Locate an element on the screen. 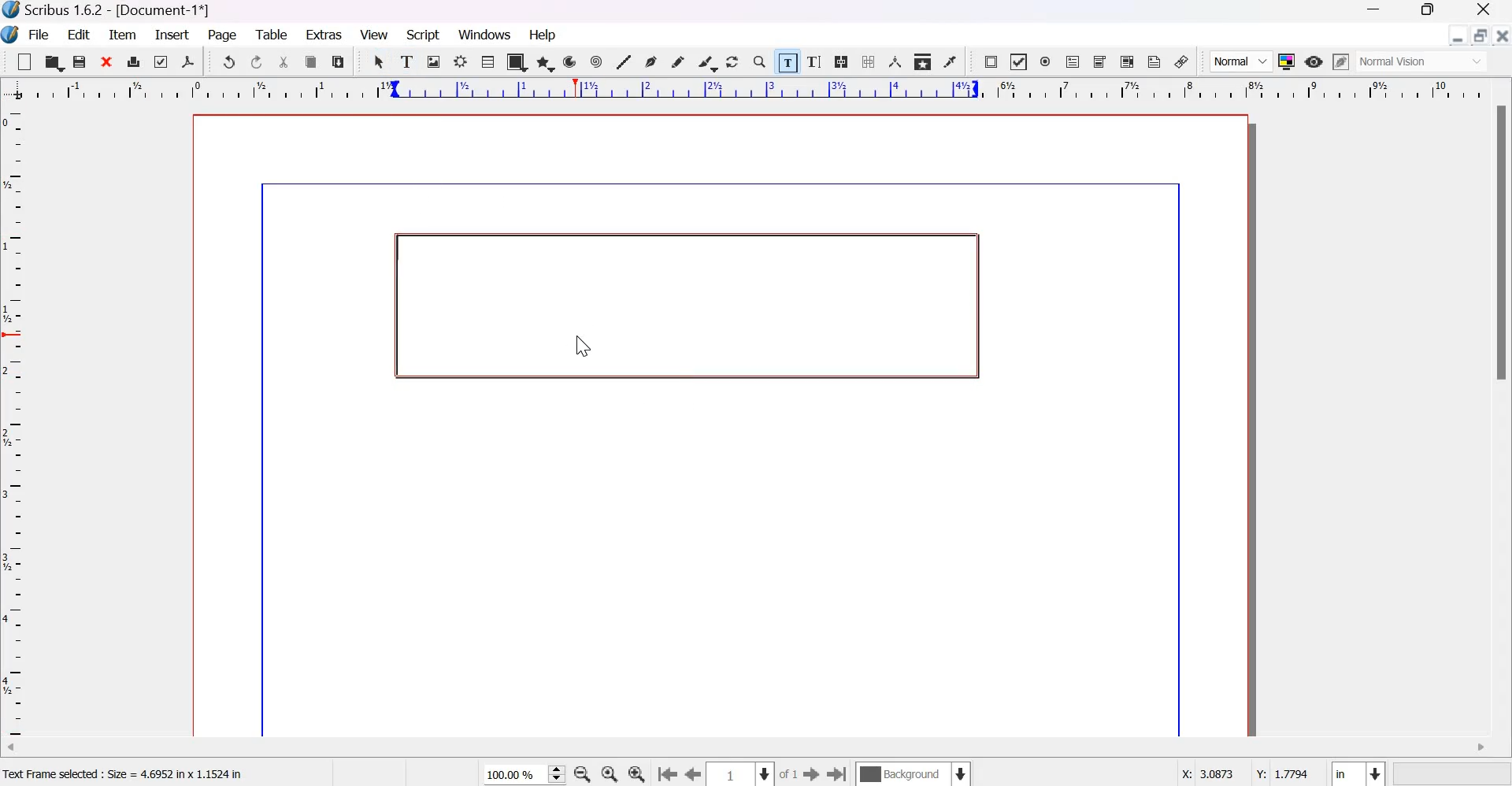 This screenshot has height=786, width=1512. Select the current layer is located at coordinates (912, 773).